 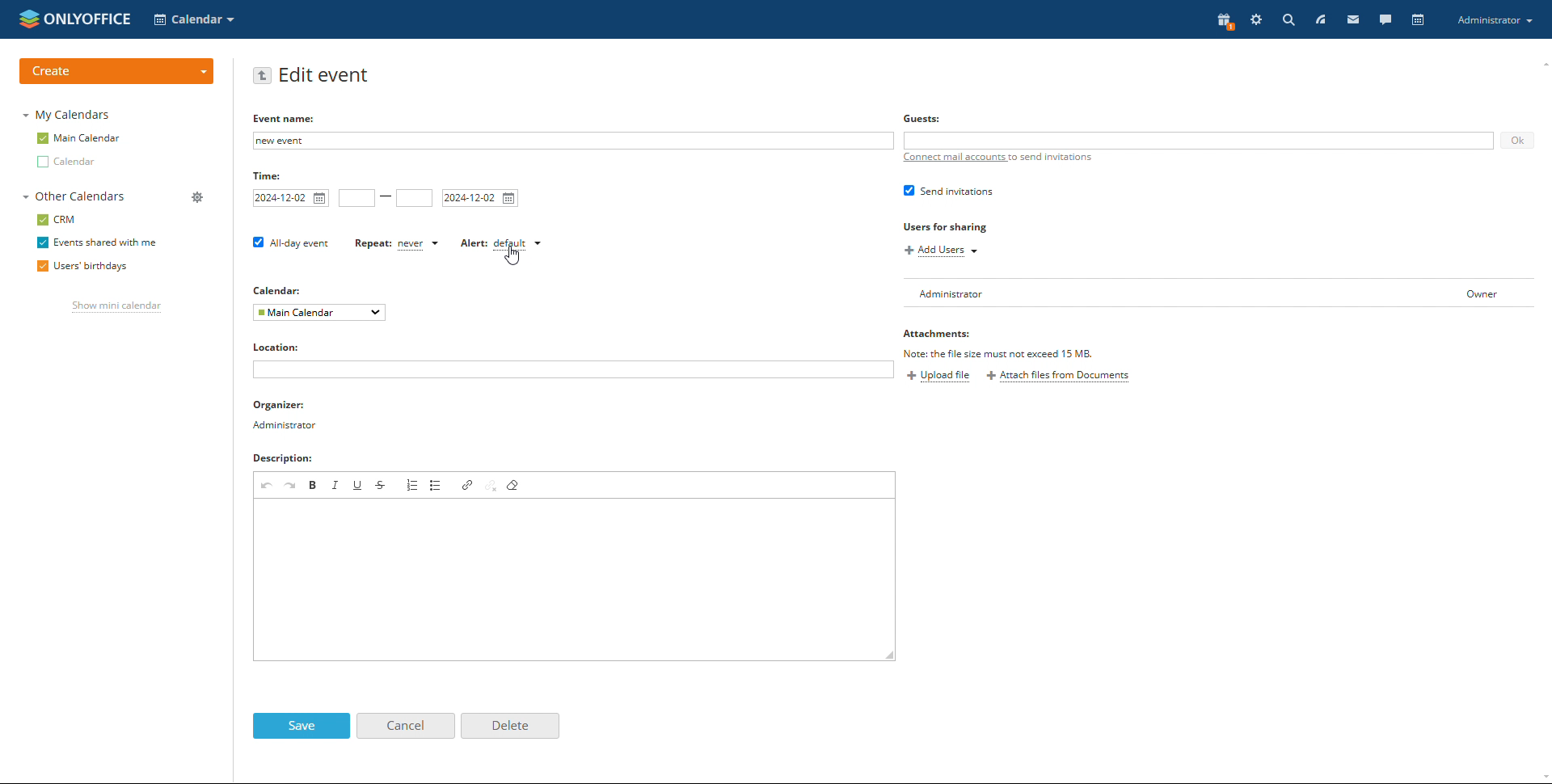 What do you see at coordinates (414, 485) in the screenshot?
I see `insert/remove numbered list` at bounding box center [414, 485].